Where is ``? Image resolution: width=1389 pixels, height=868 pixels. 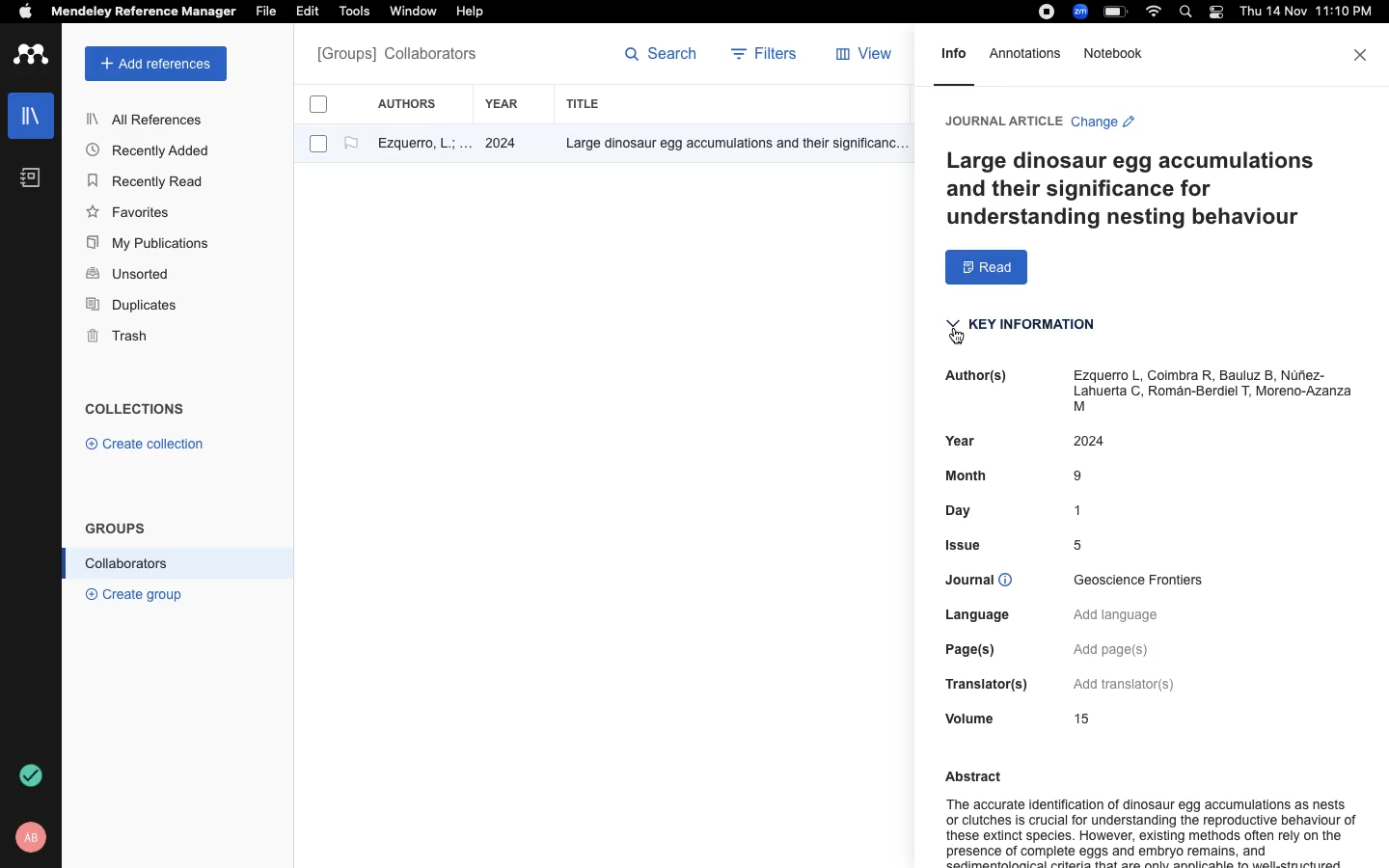  is located at coordinates (728, 145).